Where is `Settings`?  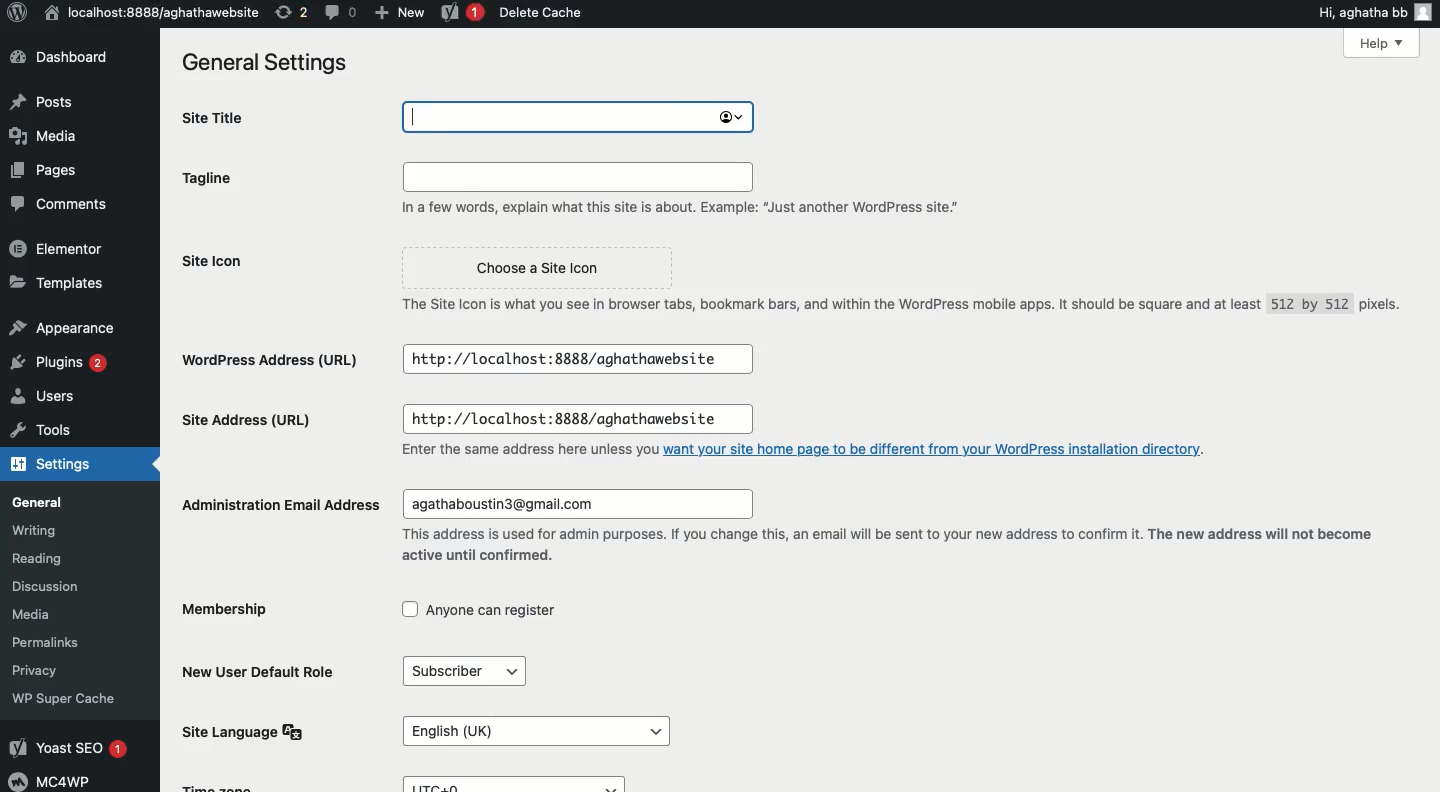 Settings is located at coordinates (59, 463).